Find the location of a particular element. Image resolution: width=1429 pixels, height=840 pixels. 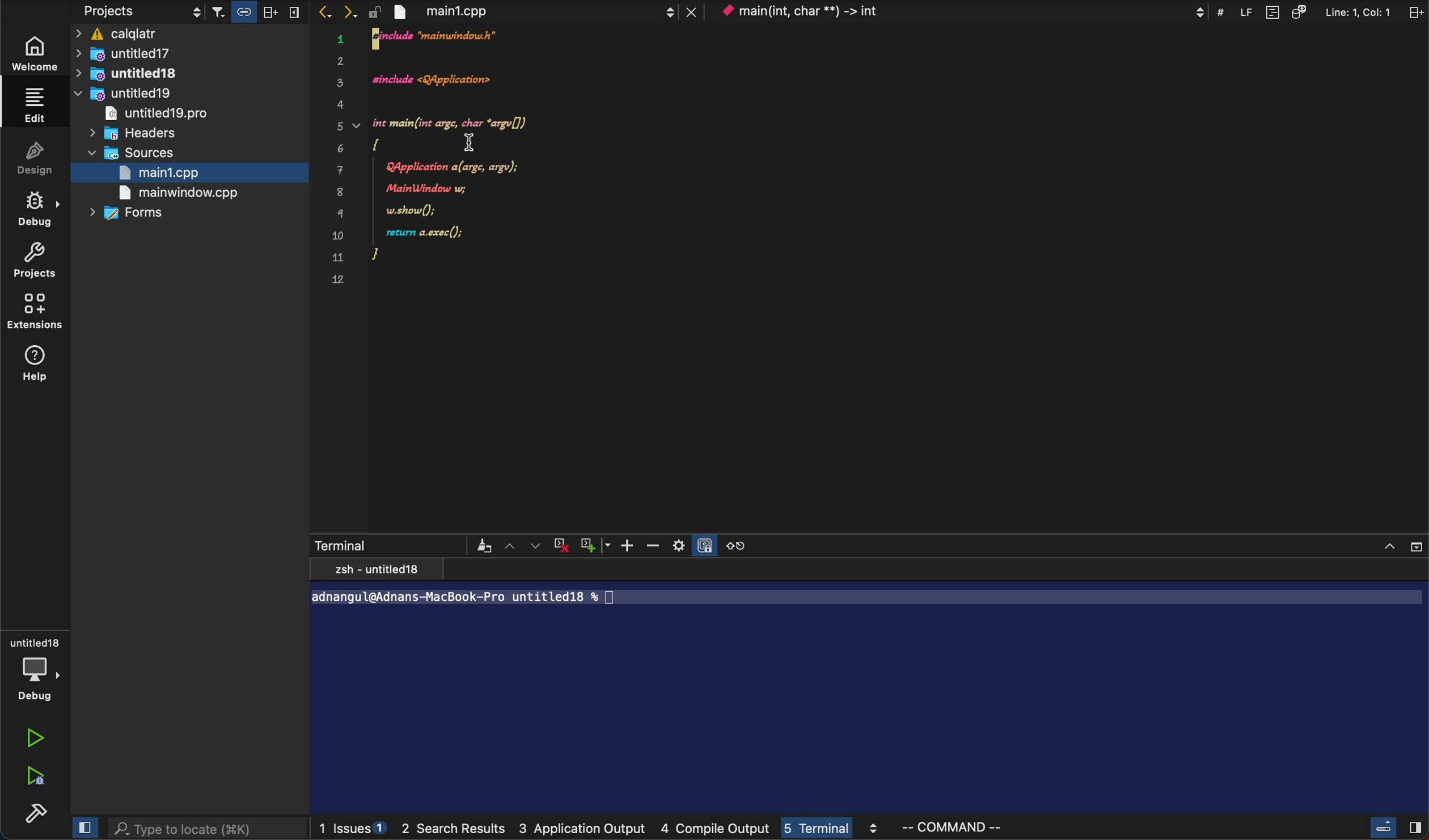

 is located at coordinates (1314, 11).